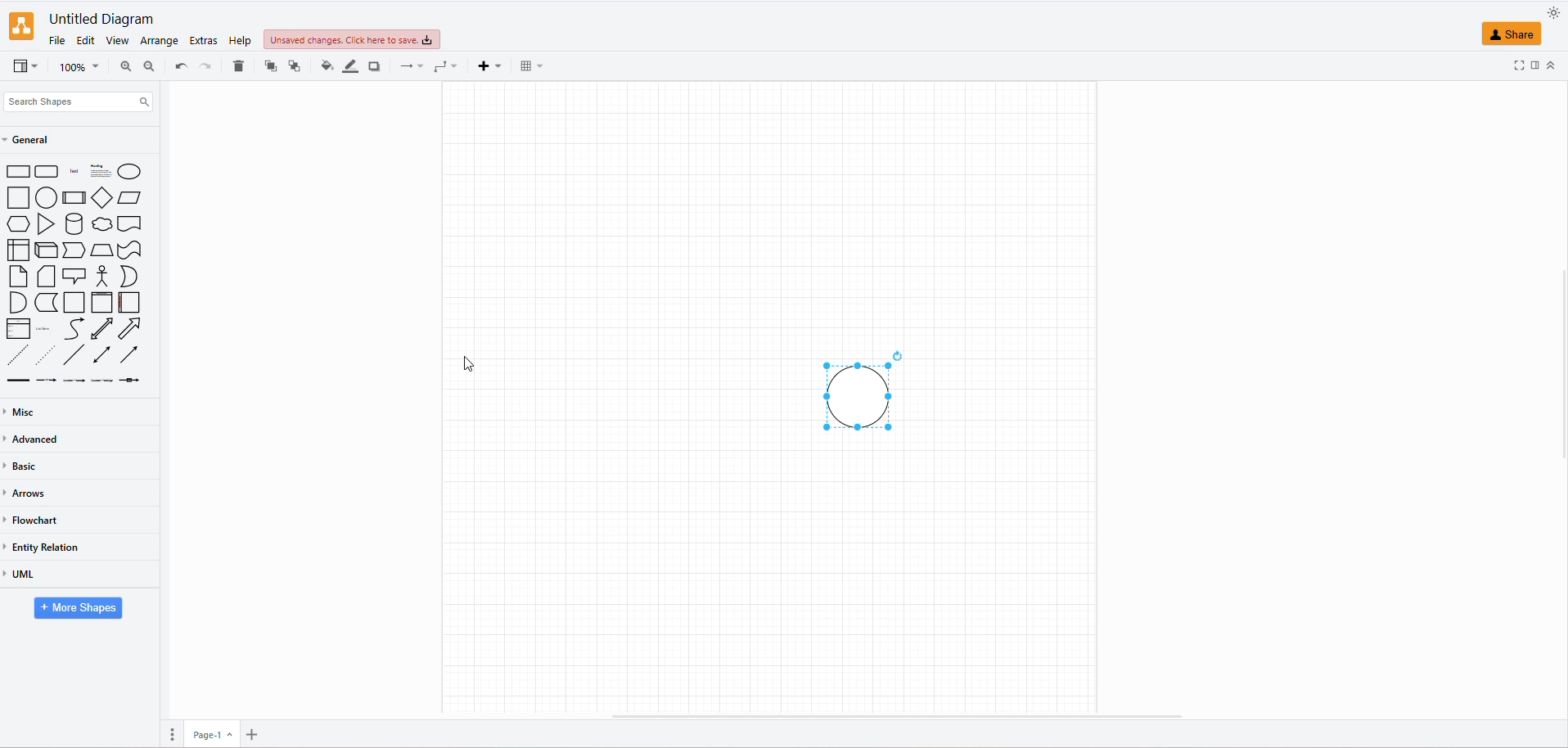 This screenshot has height=748, width=1568. Describe the element at coordinates (103, 19) in the screenshot. I see `FILE NAME` at that location.